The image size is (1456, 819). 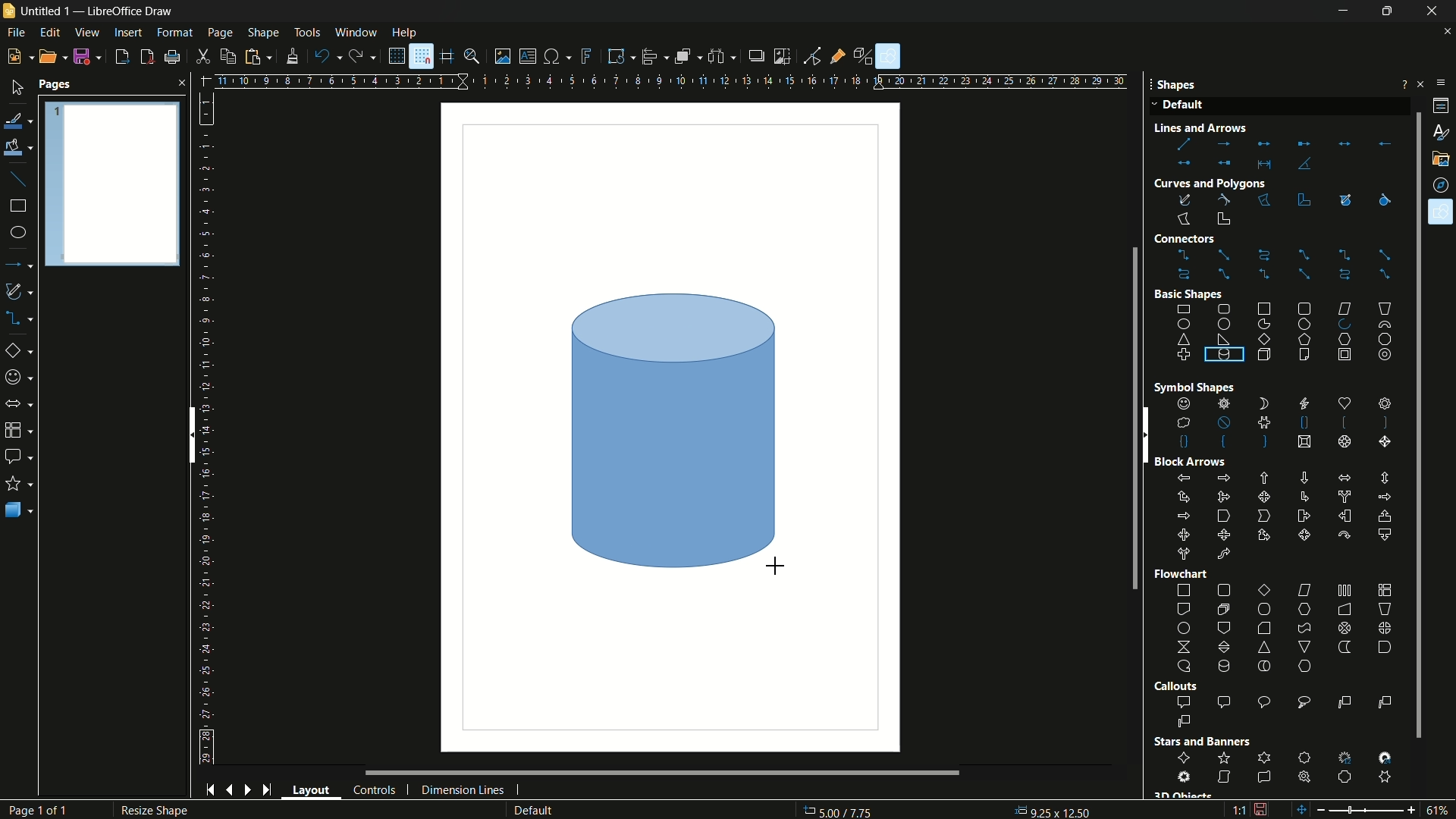 I want to click on Default, so click(x=1180, y=106).